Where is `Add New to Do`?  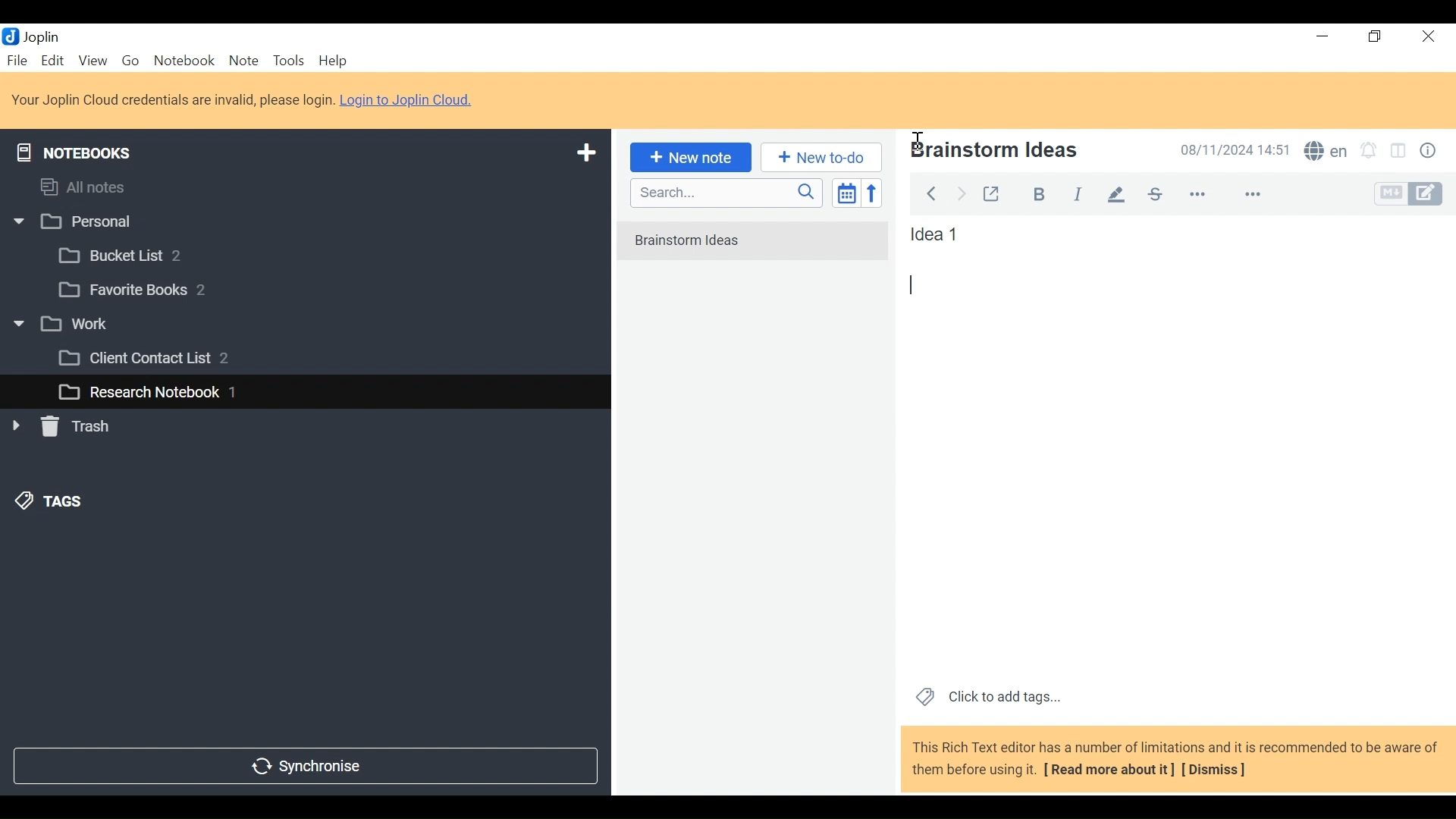
Add New to Do is located at coordinates (821, 158).